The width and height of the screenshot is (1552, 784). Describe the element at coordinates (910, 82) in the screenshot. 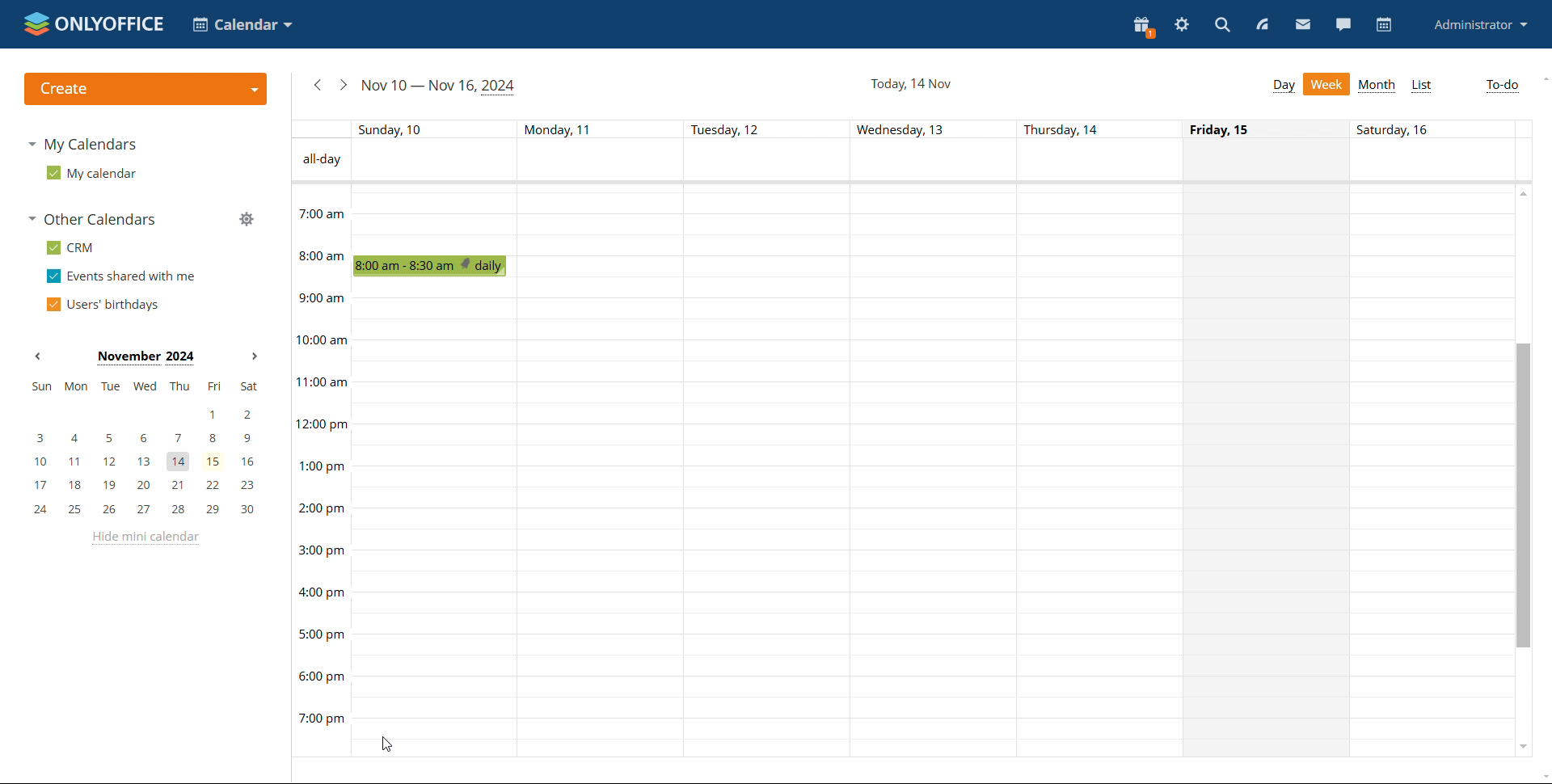

I see `current date` at that location.